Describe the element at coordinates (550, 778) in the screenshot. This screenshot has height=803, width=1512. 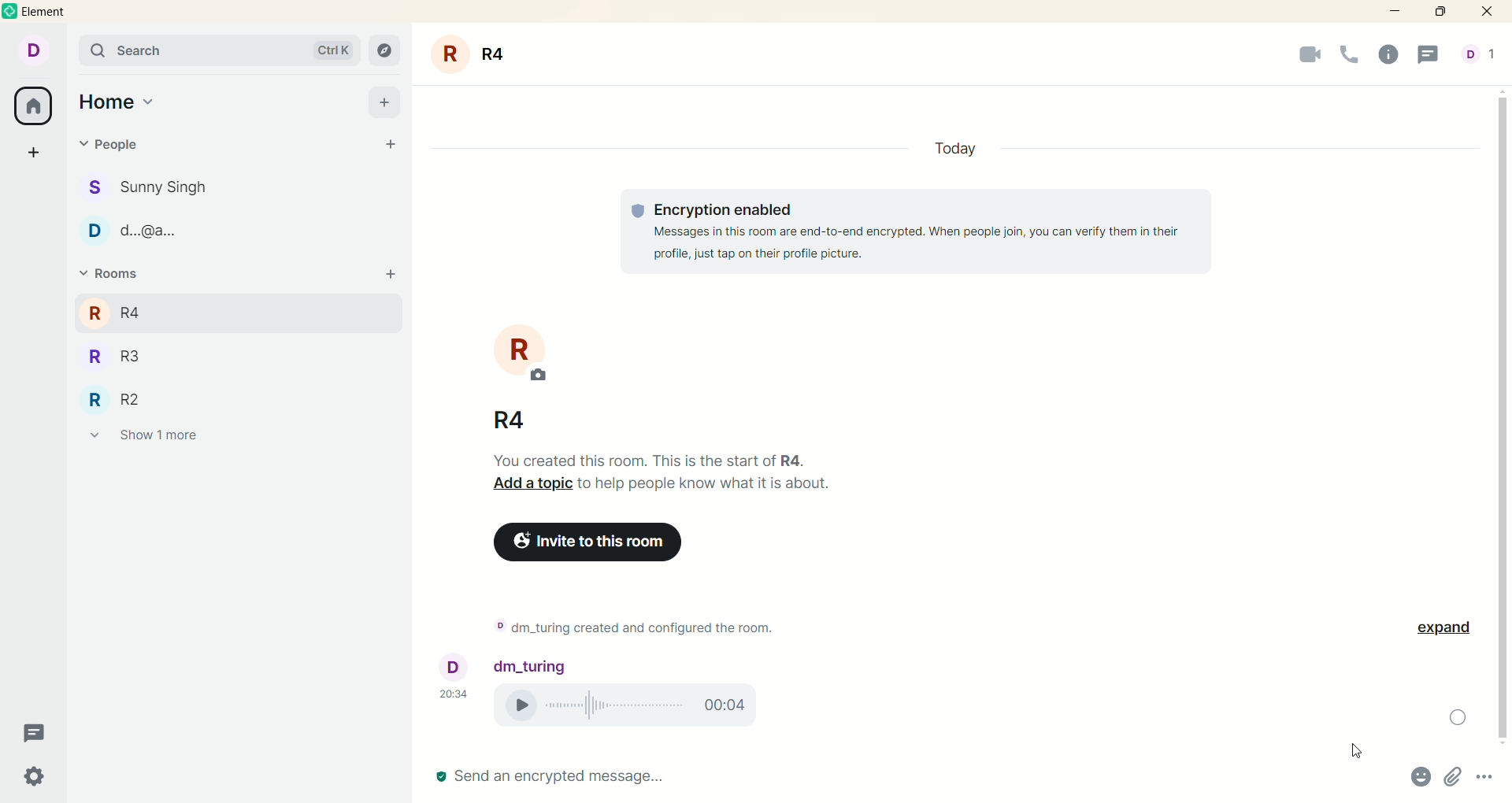
I see `send encrypted message` at that location.